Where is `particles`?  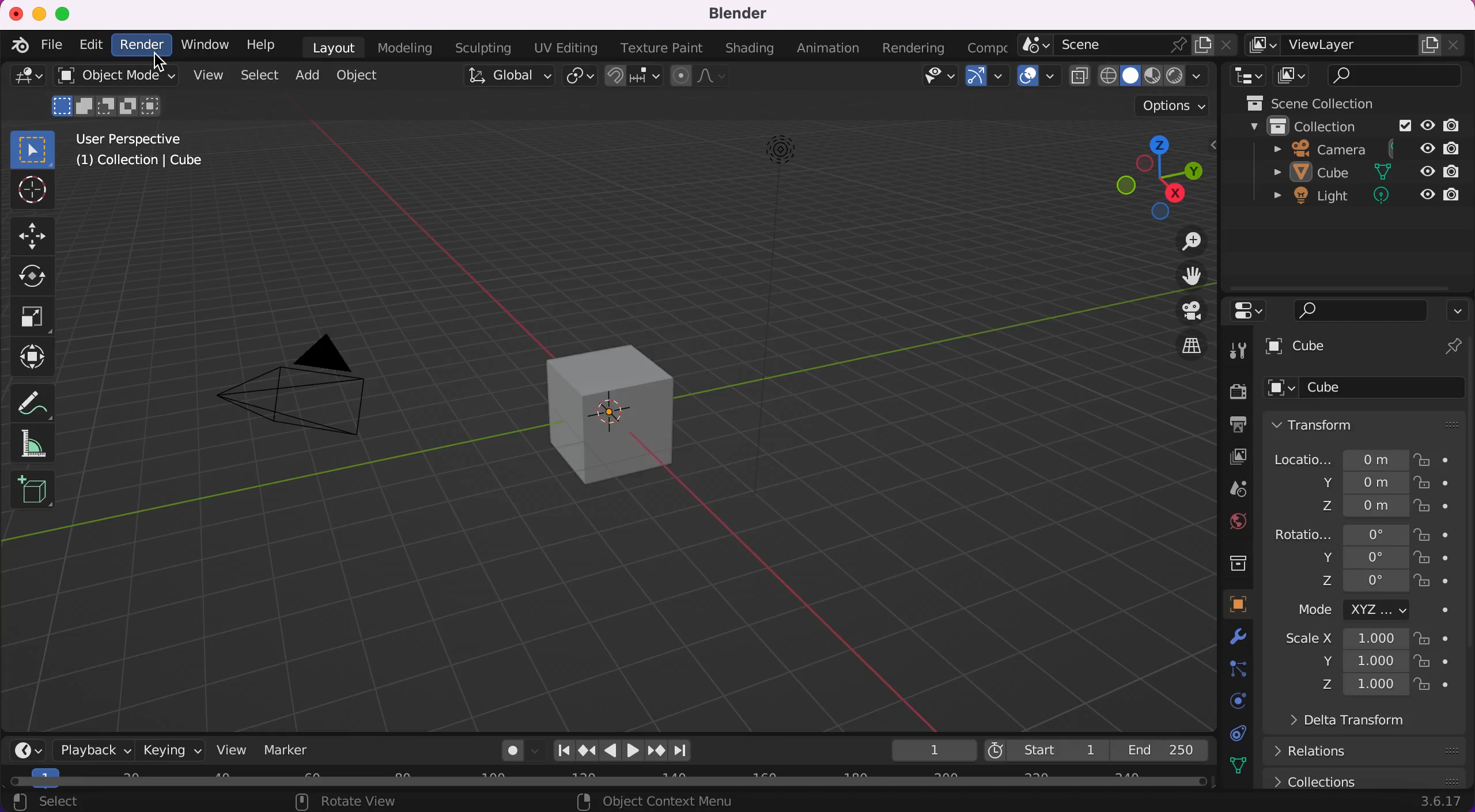
particles is located at coordinates (1230, 669).